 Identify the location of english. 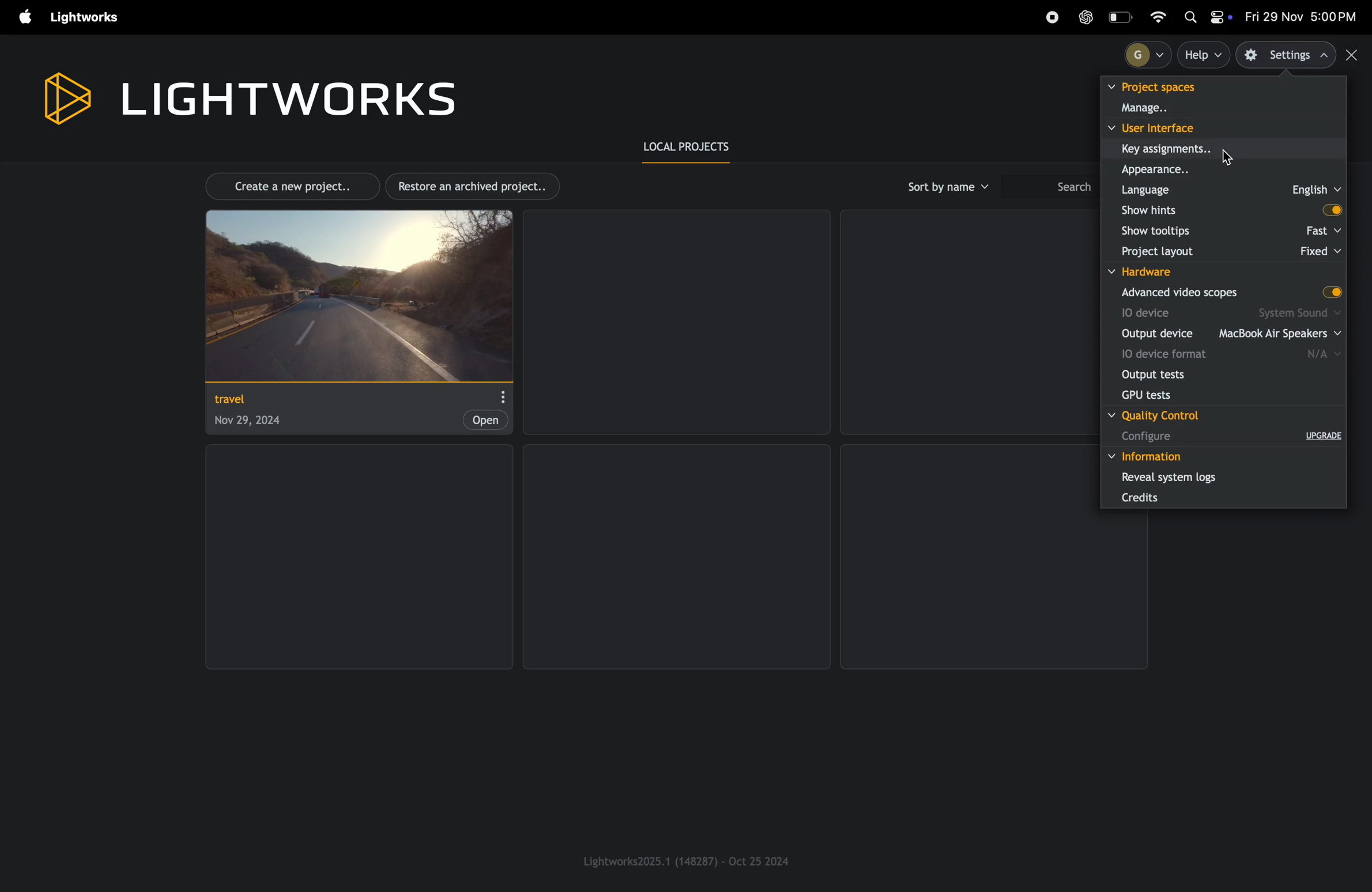
(1315, 190).